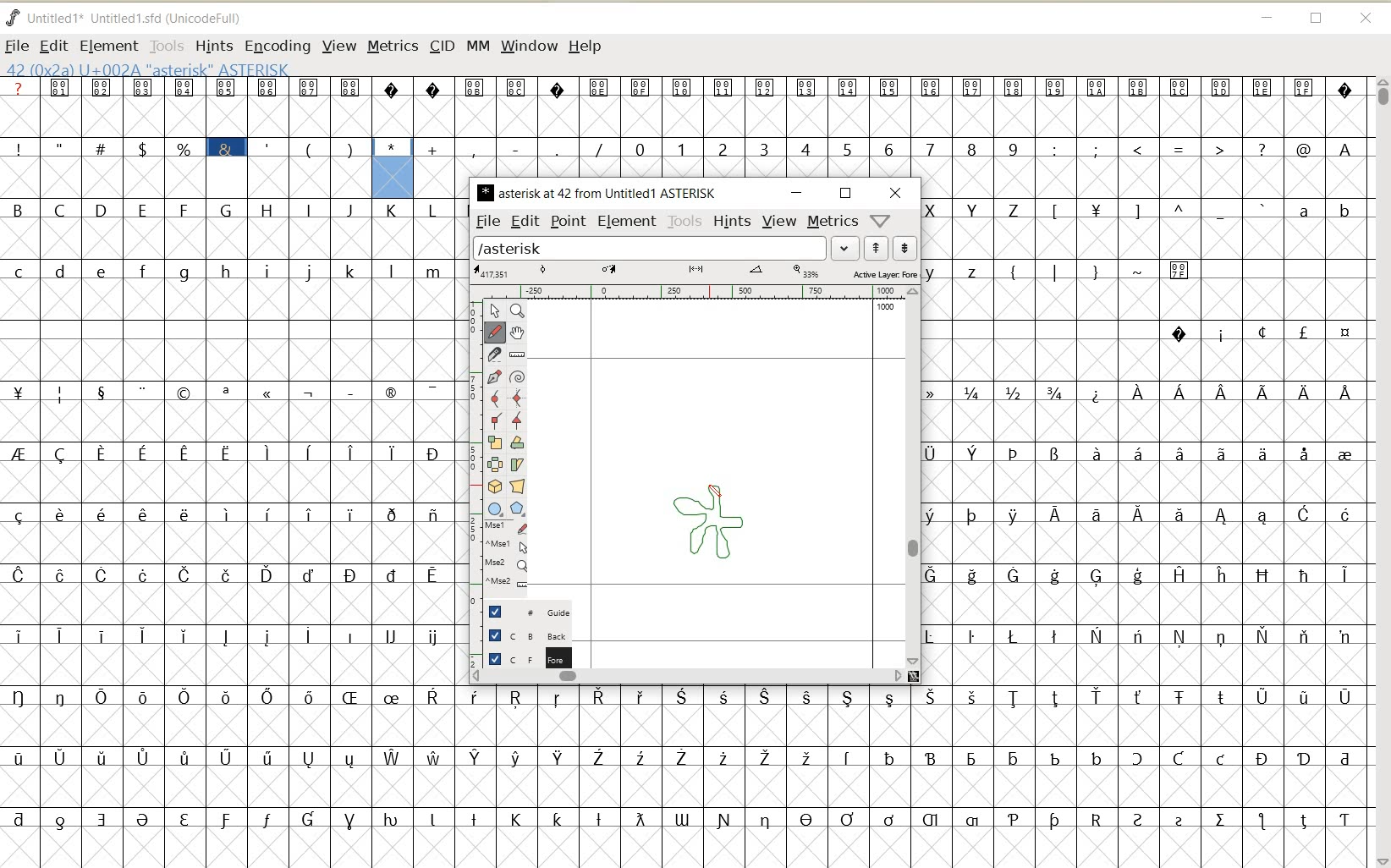 This screenshot has height=868, width=1391. Describe the element at coordinates (890, 247) in the screenshot. I see `show previous/next word list` at that location.